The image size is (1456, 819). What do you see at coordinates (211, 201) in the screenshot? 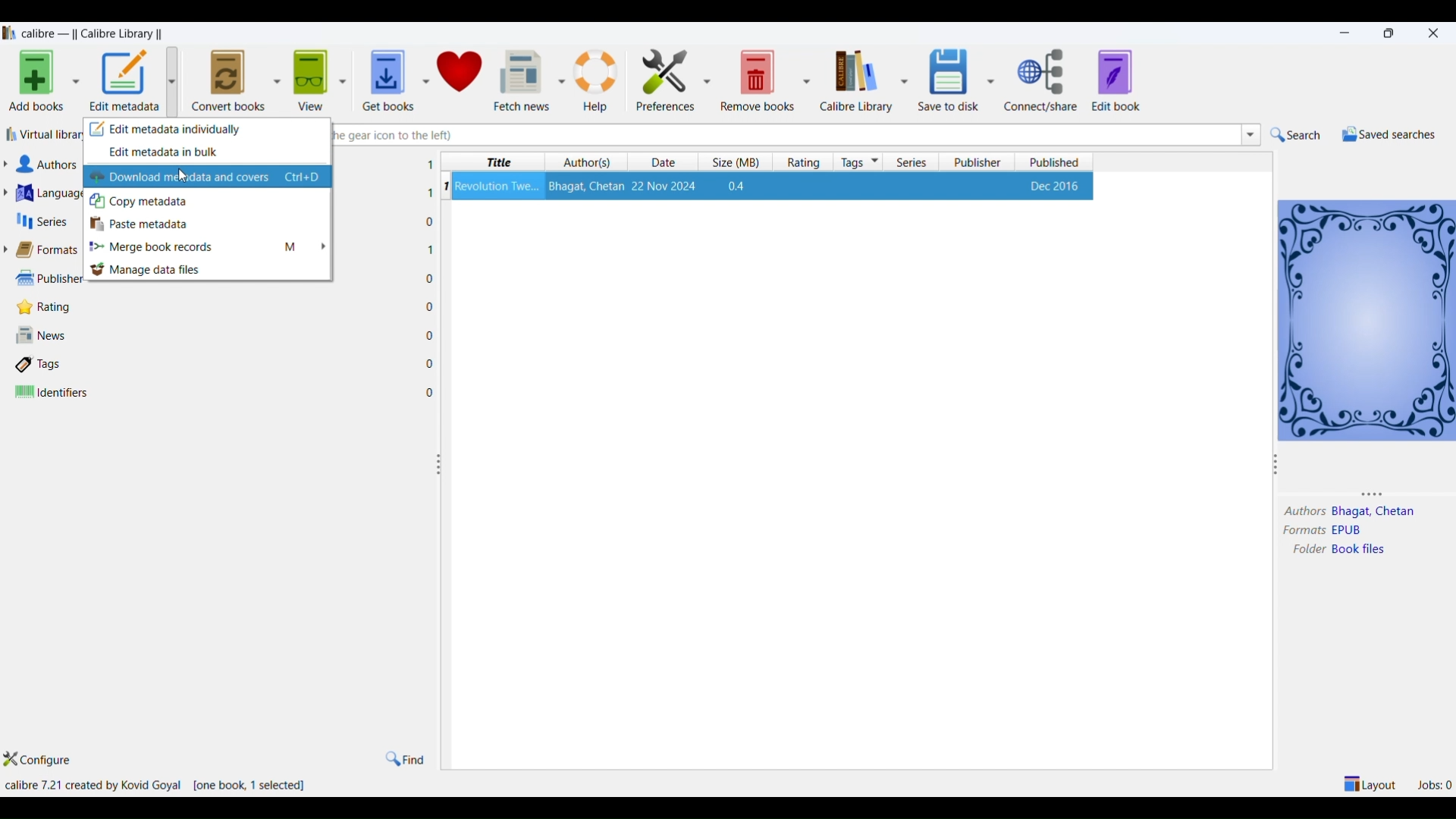
I see `copy metadata` at bounding box center [211, 201].